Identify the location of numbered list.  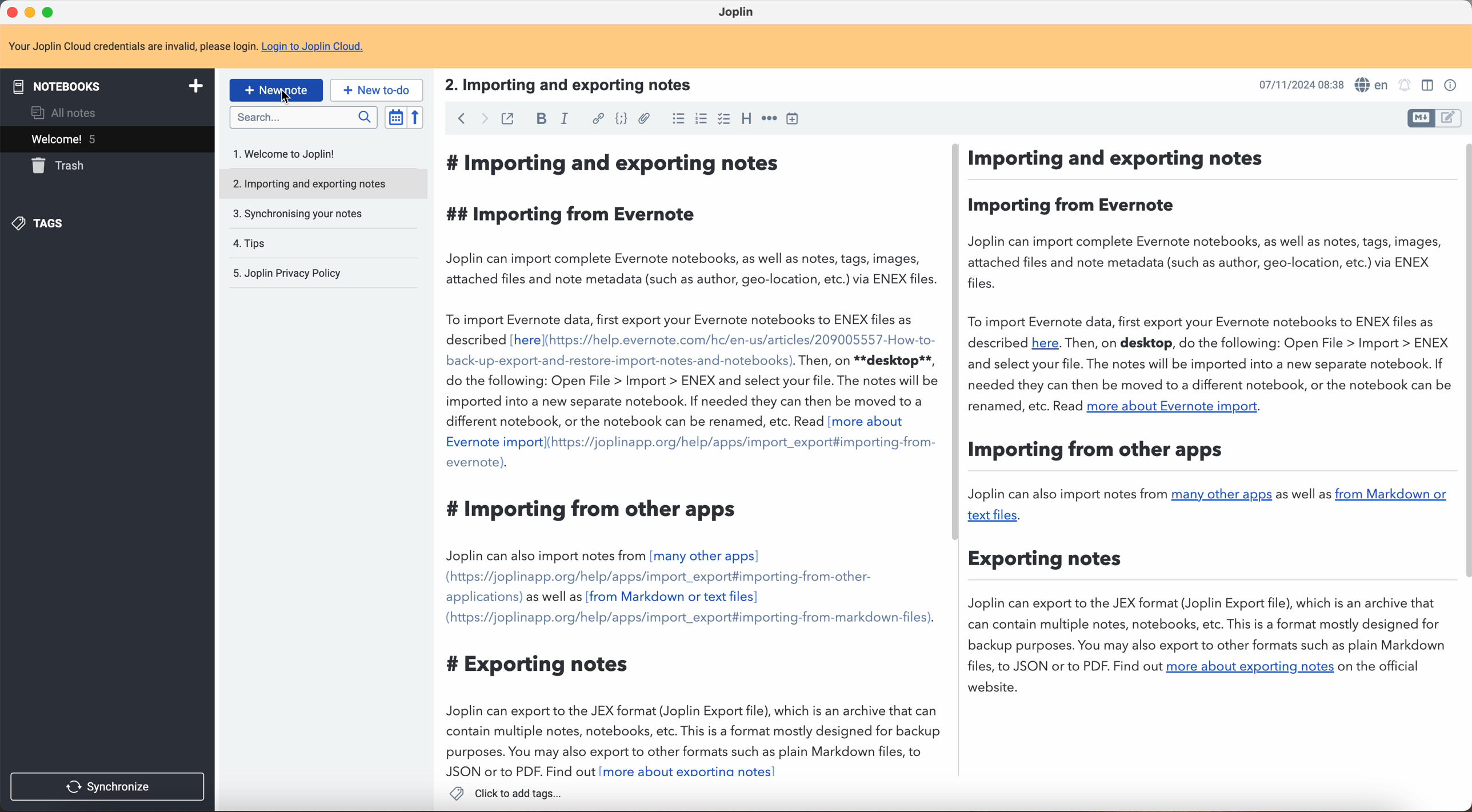
(702, 118).